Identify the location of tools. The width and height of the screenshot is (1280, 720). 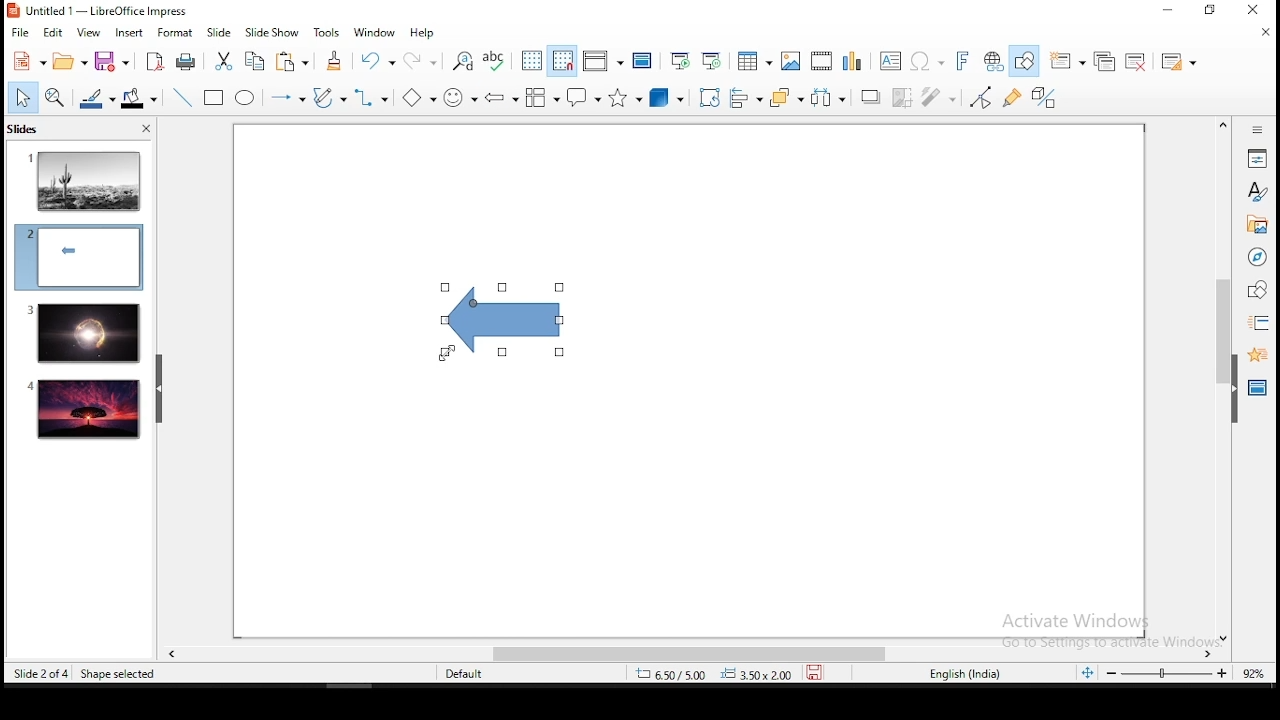
(328, 33).